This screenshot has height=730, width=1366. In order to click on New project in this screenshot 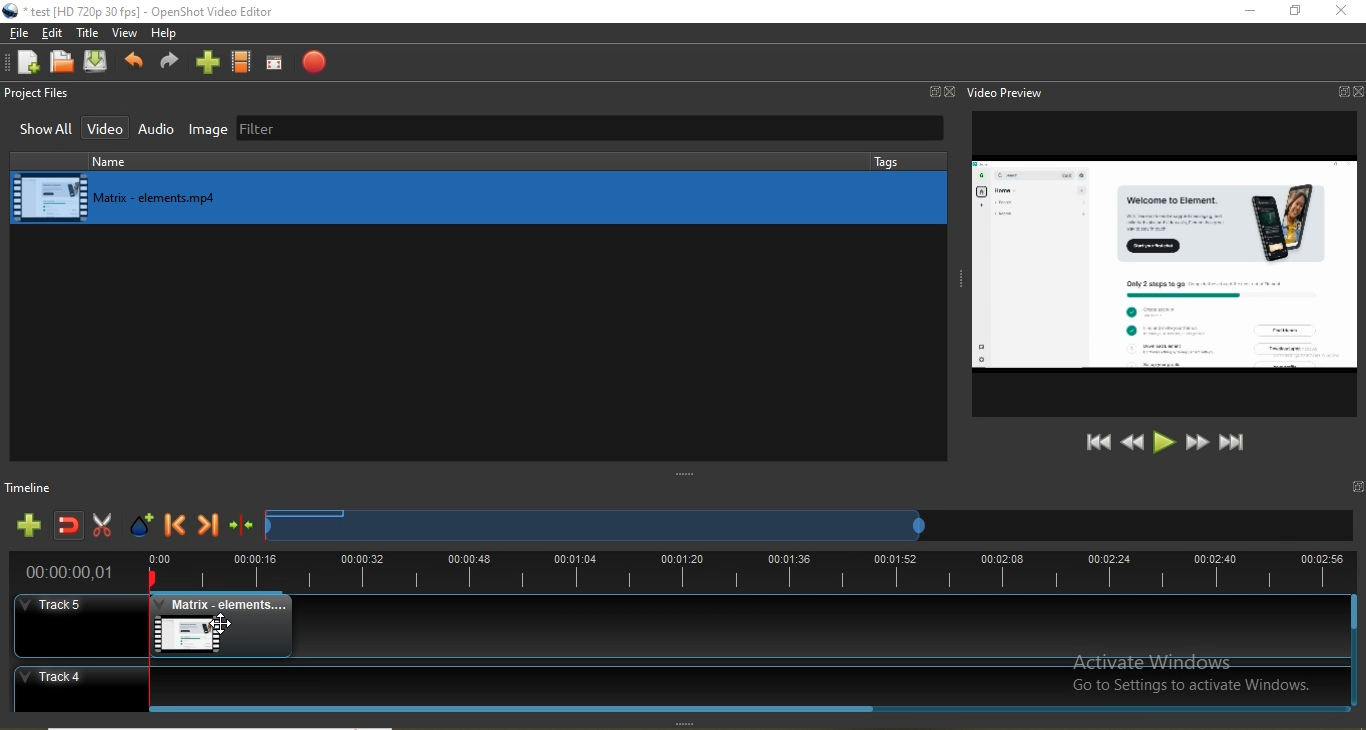, I will do `click(24, 62)`.